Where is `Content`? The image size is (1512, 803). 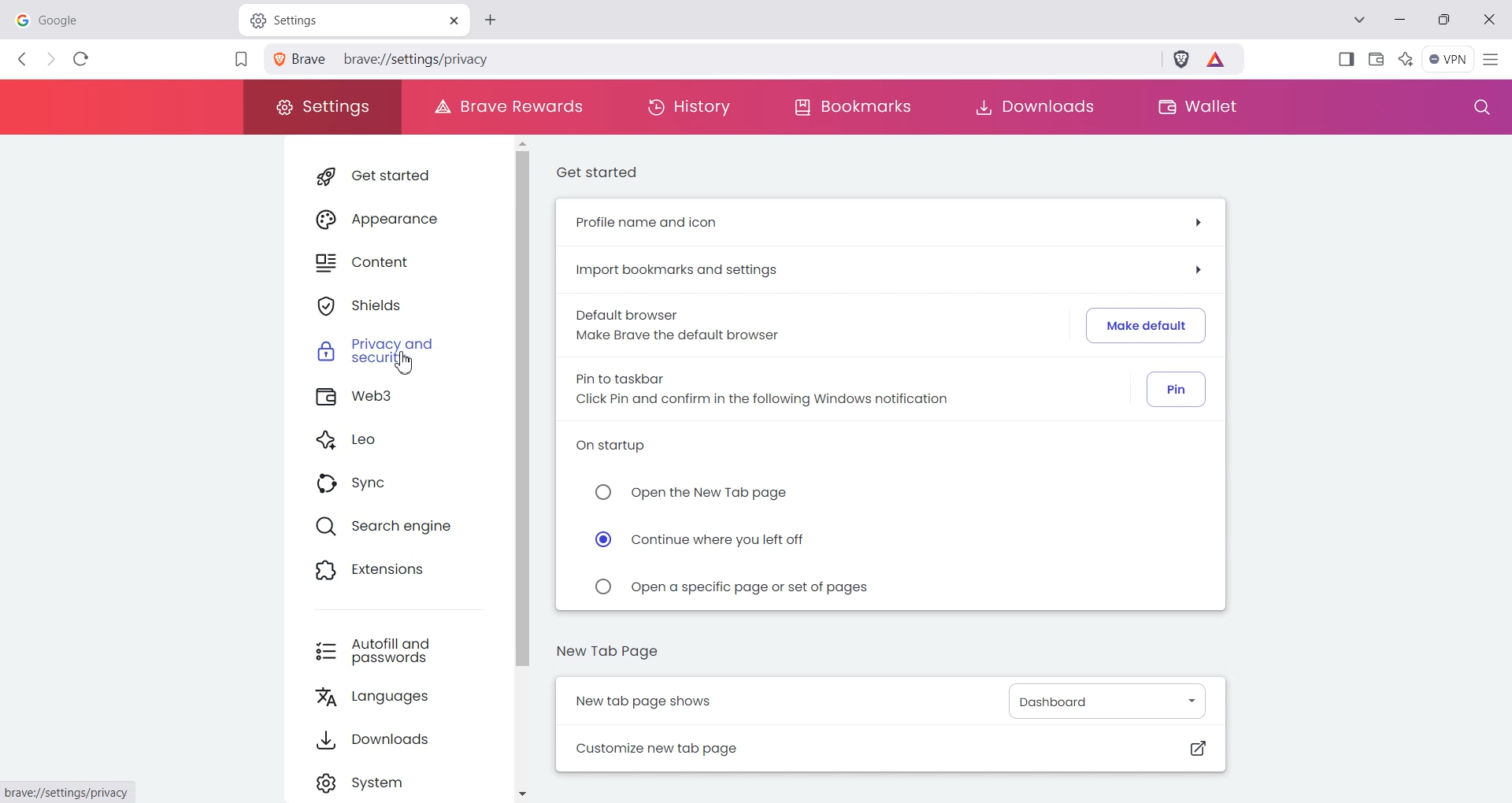 Content is located at coordinates (388, 263).